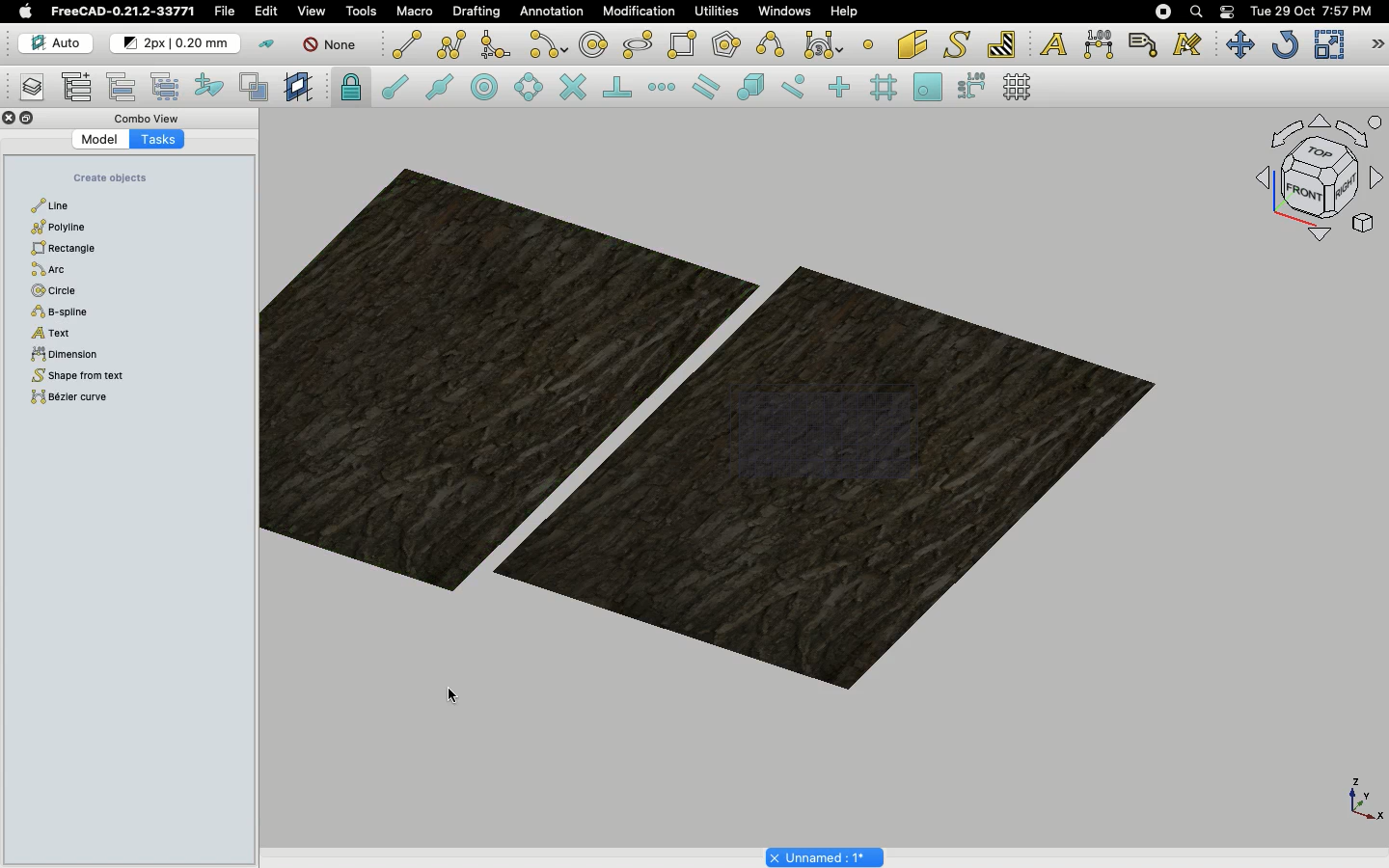 The width and height of the screenshot is (1389, 868). I want to click on Snap midpoint, so click(441, 90).